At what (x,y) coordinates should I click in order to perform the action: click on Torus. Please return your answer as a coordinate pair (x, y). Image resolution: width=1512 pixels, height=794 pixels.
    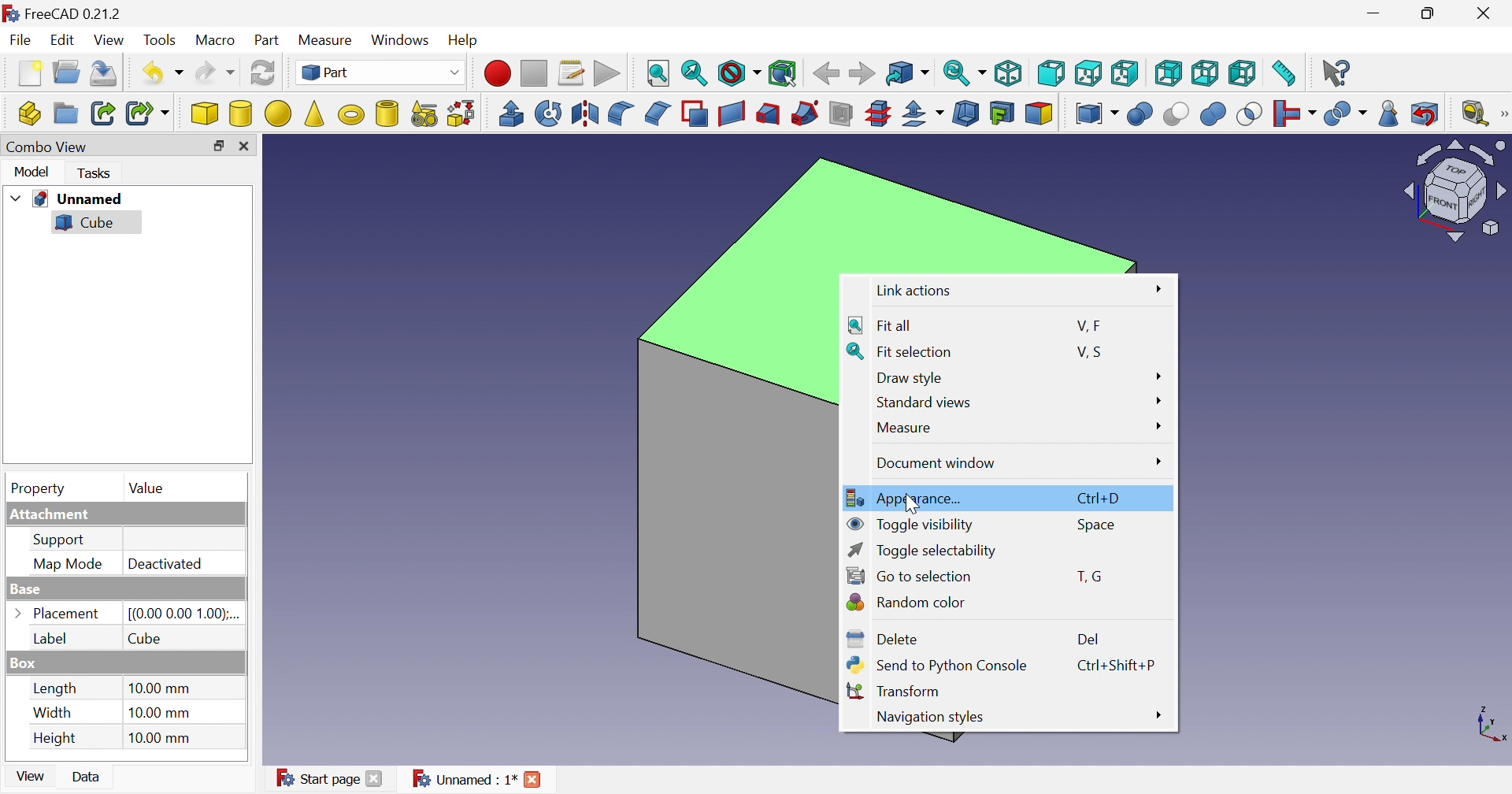
    Looking at the image, I should click on (354, 117).